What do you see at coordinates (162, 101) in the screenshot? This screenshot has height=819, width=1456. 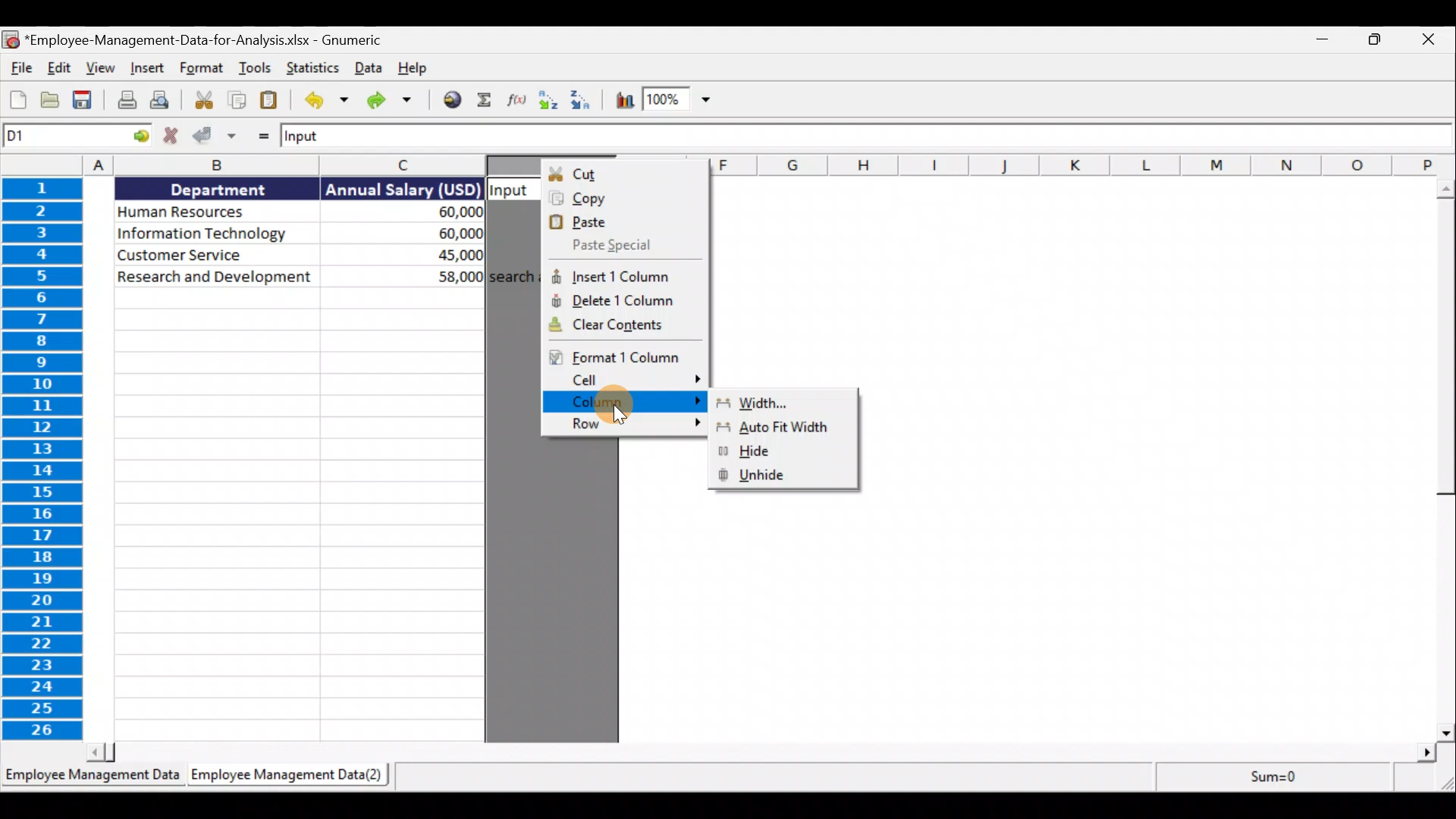 I see `Print preview` at bounding box center [162, 101].